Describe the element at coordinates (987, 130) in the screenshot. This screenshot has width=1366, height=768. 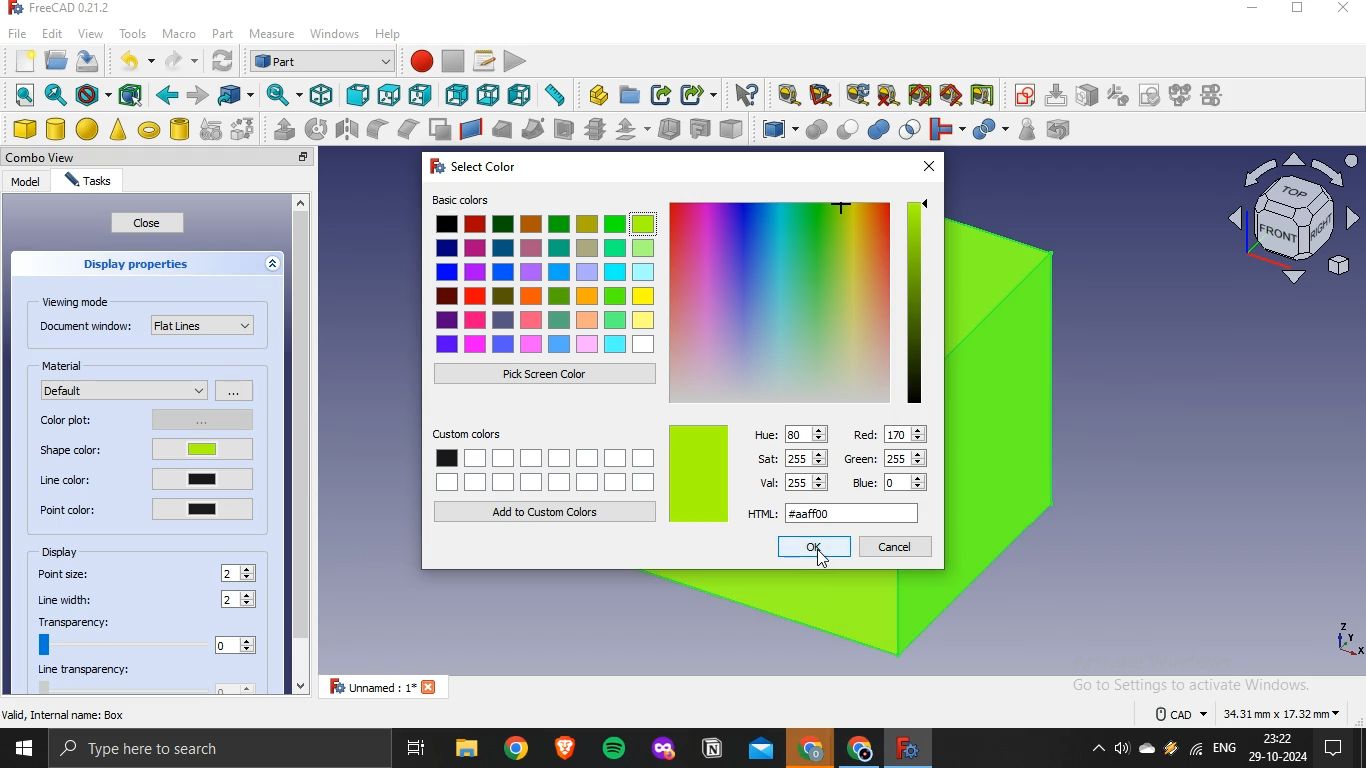
I see `split objects` at that location.